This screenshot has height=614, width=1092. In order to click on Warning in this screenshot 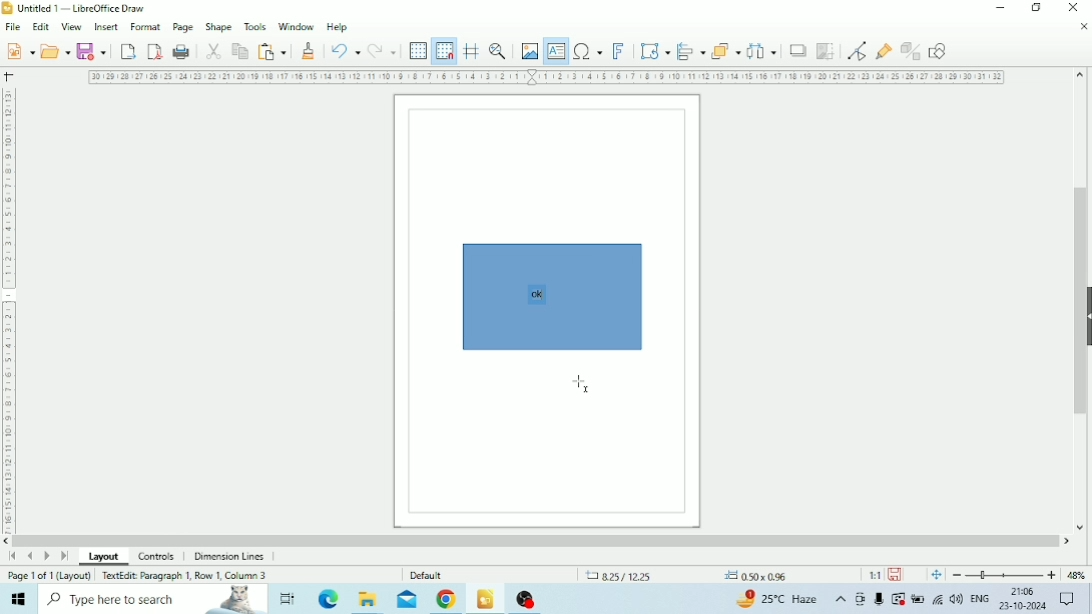, I will do `click(898, 599)`.